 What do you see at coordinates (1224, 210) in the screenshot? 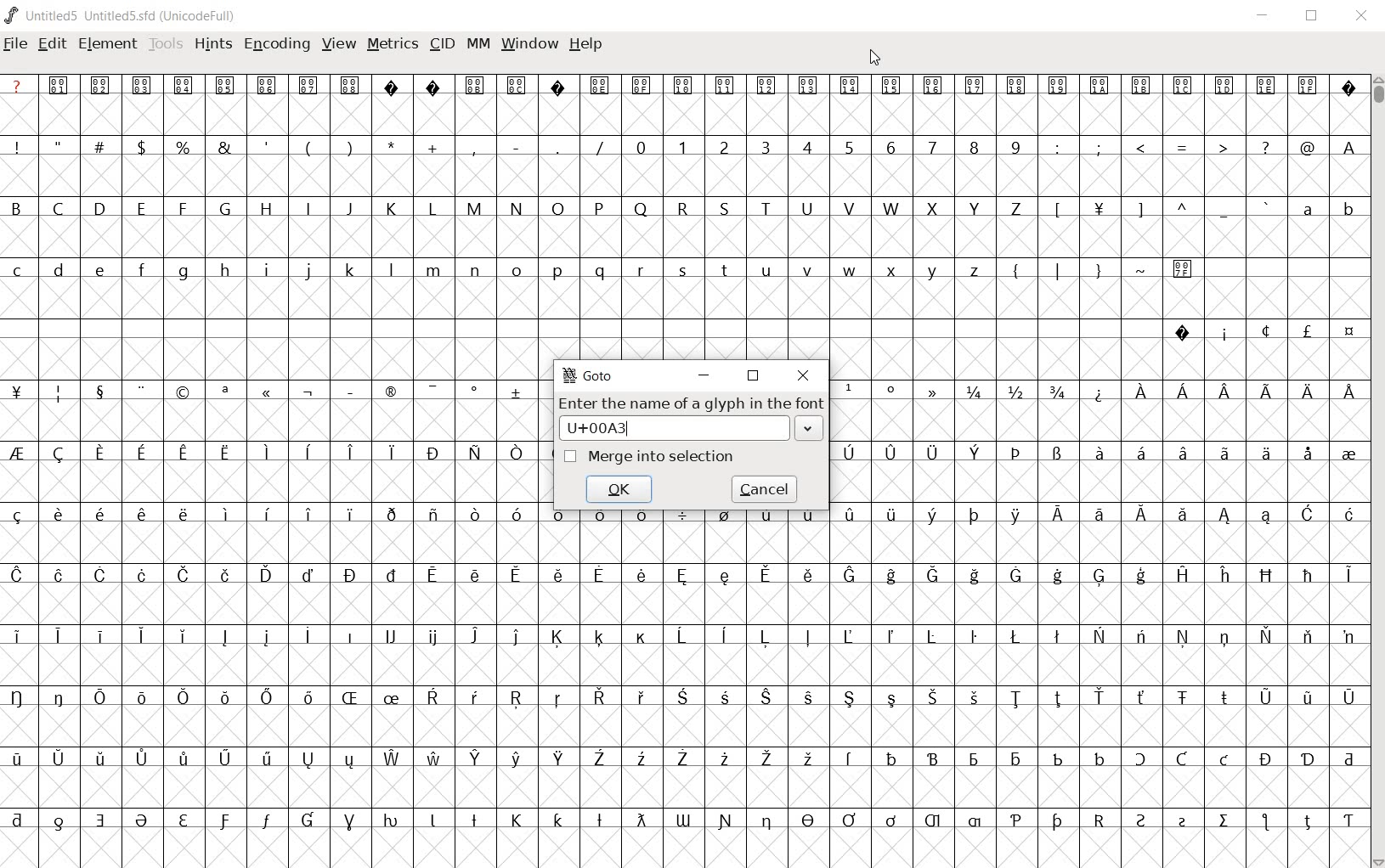
I see `_` at bounding box center [1224, 210].